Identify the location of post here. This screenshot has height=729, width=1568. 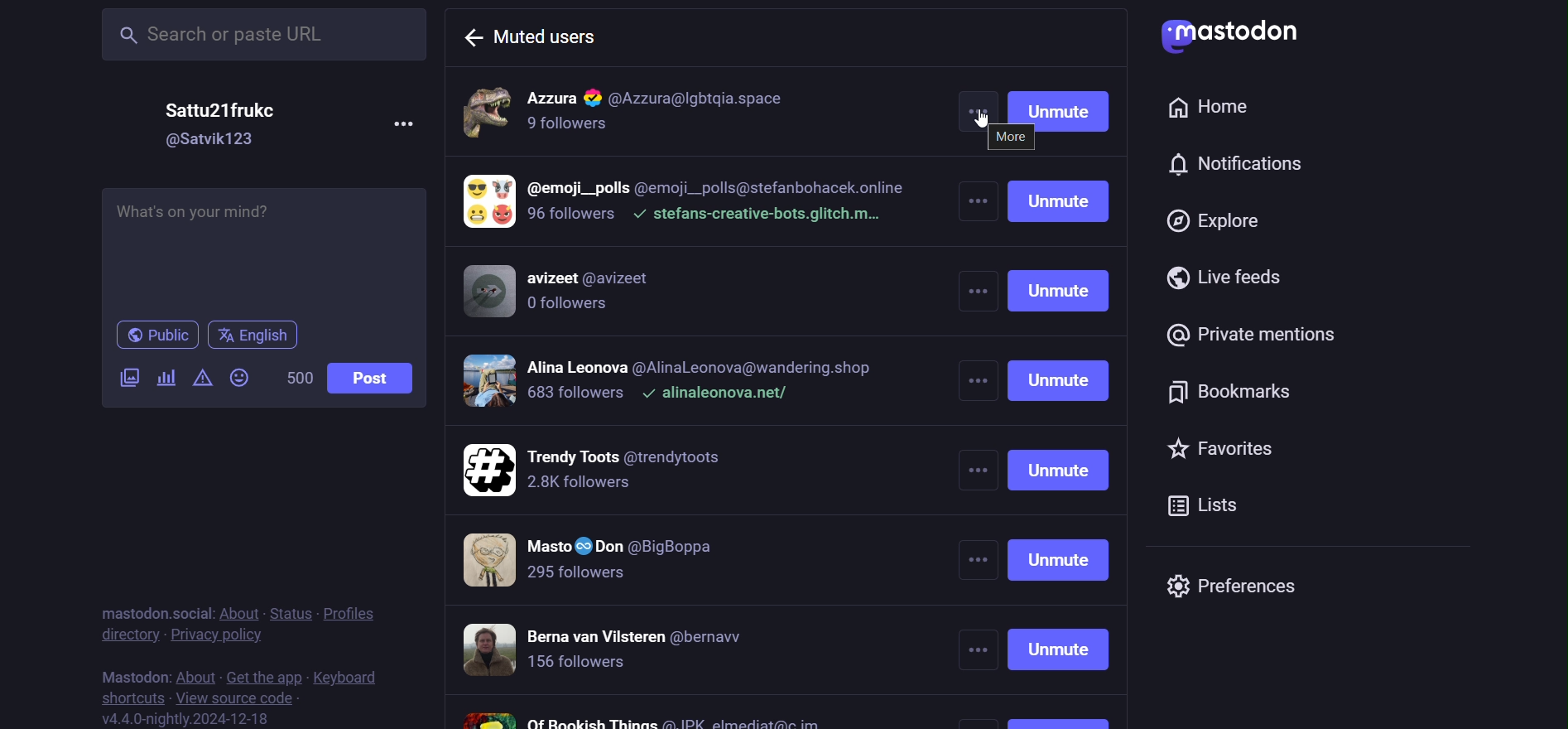
(262, 250).